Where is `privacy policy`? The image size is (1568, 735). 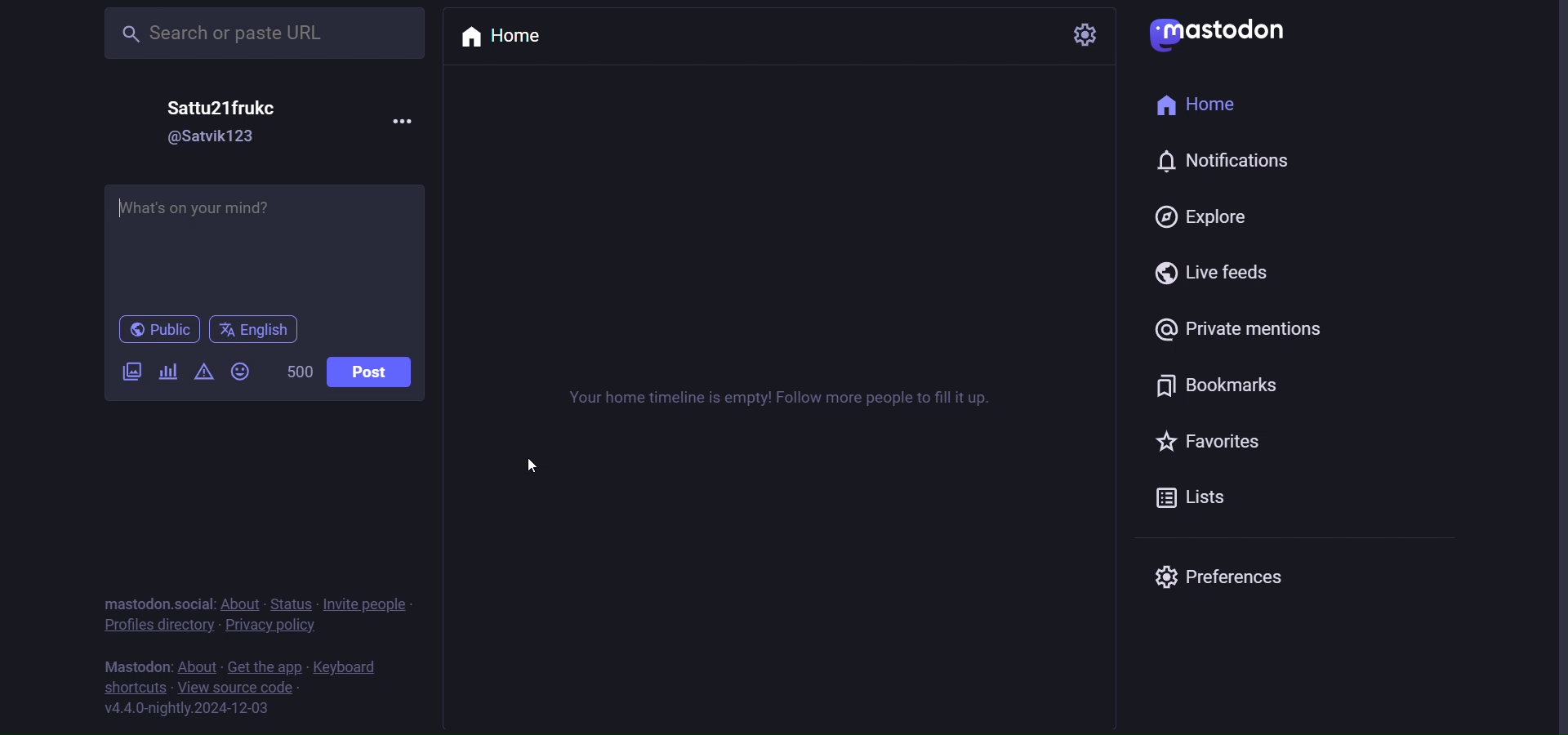 privacy policy is located at coordinates (272, 627).